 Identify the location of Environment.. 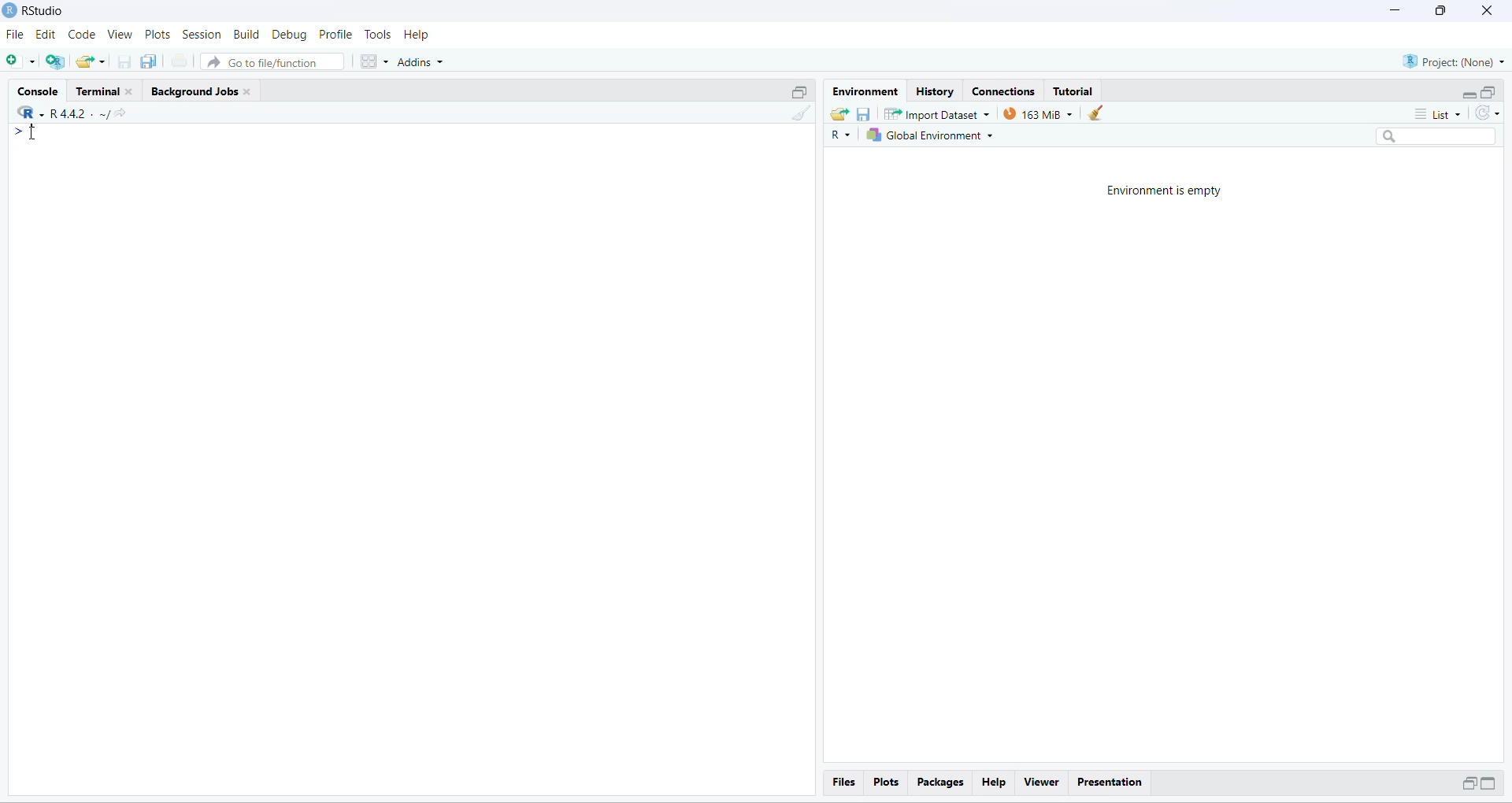
(864, 91).